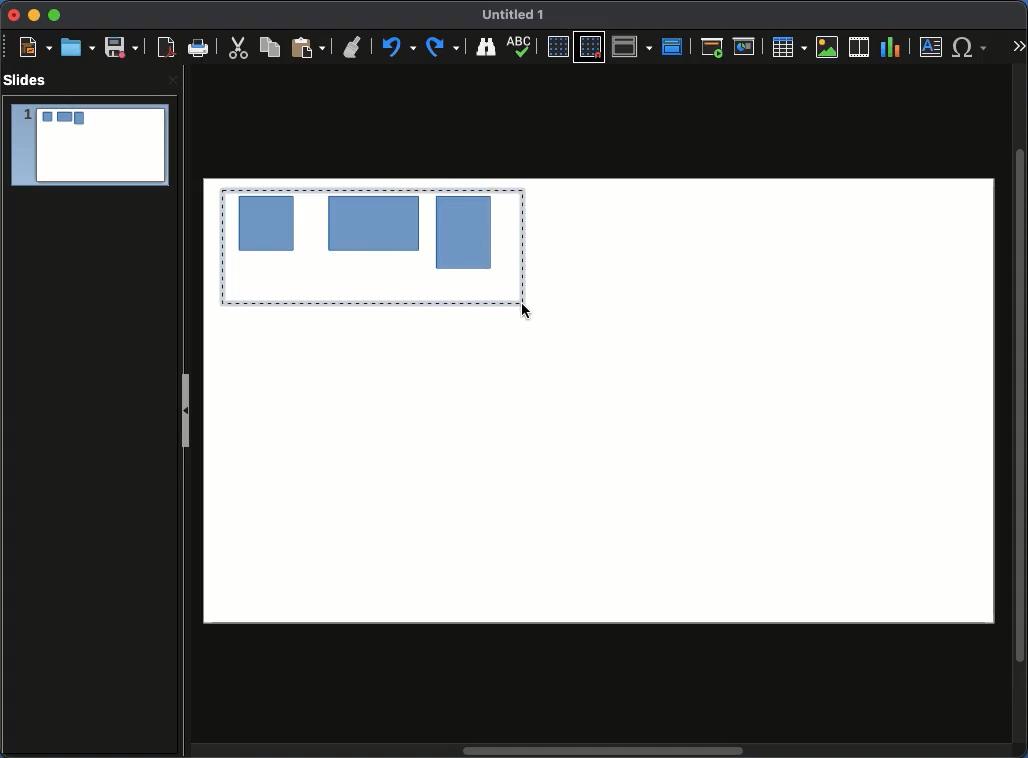  I want to click on Close, so click(171, 82).